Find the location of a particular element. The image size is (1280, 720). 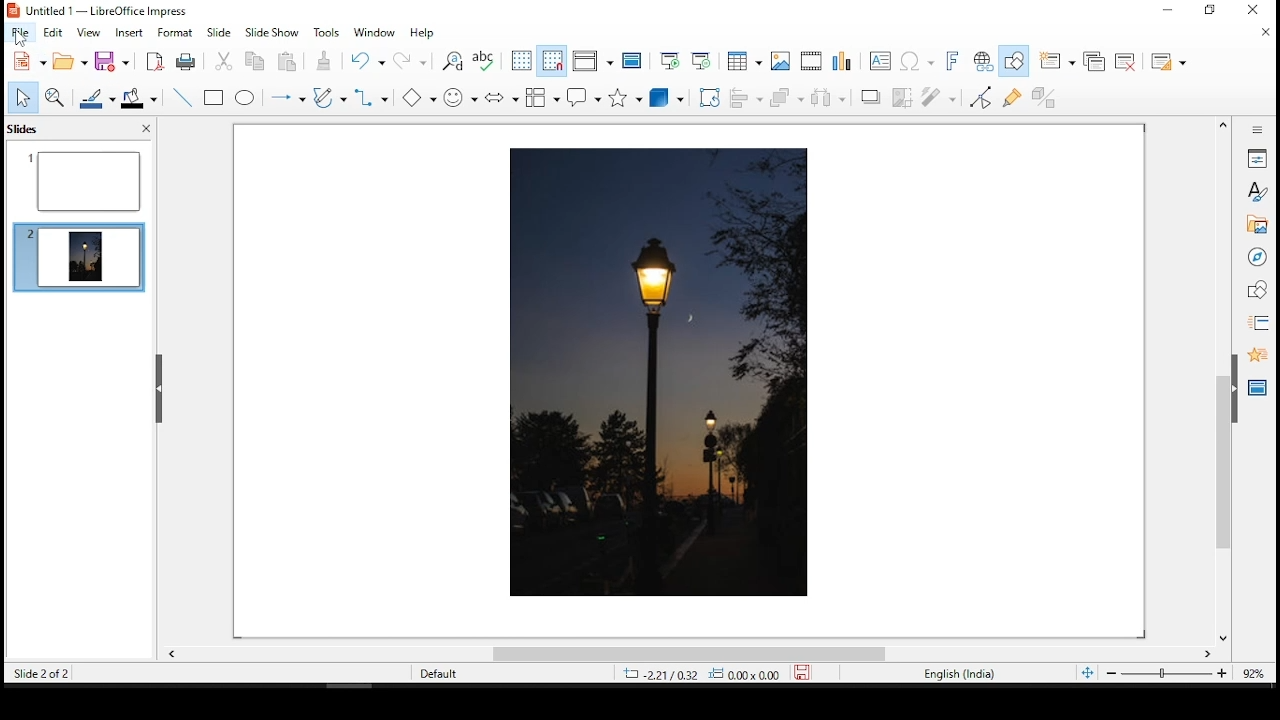

paste is located at coordinates (325, 63).